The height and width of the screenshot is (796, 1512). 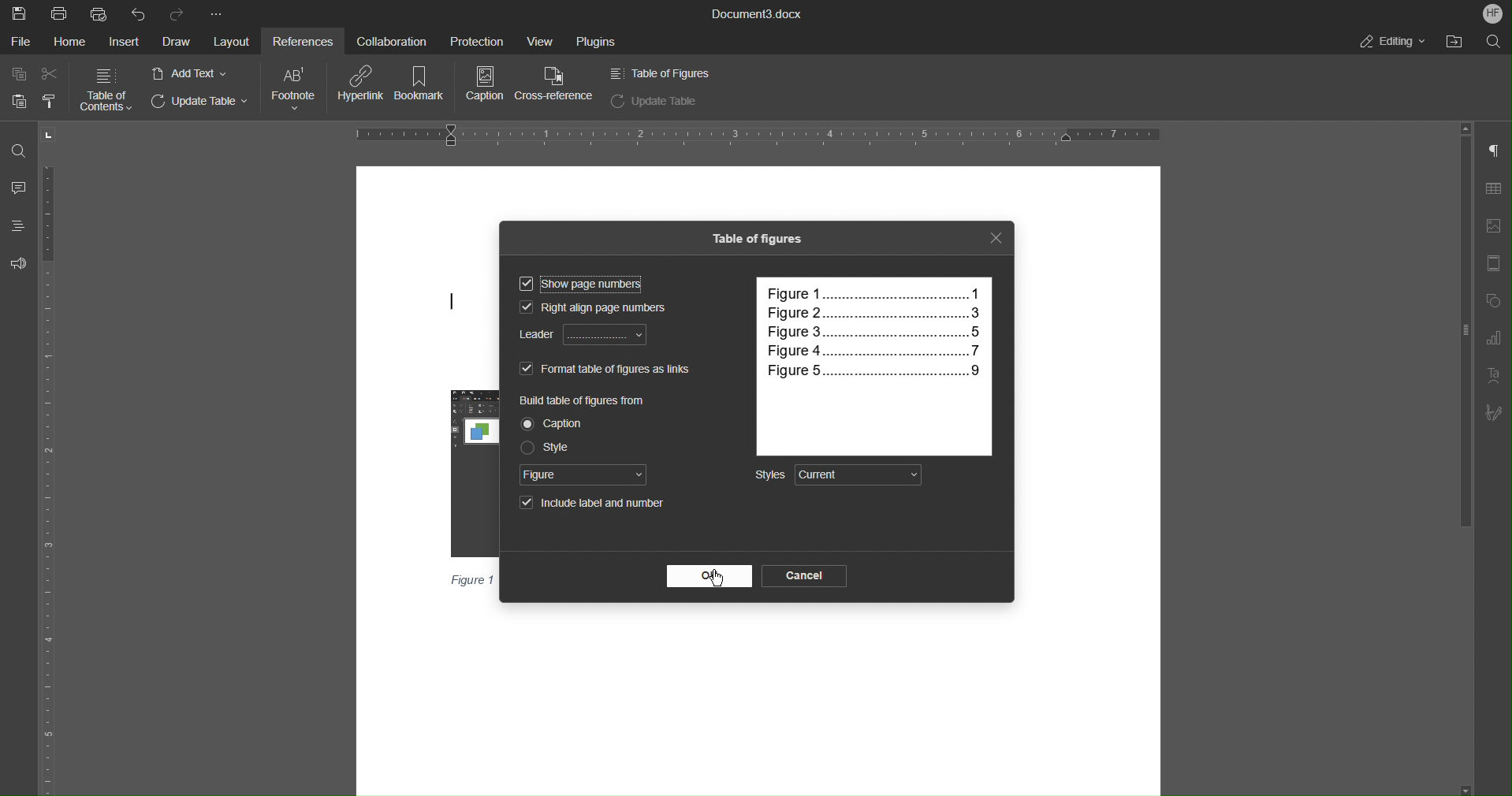 What do you see at coordinates (15, 101) in the screenshot?
I see `Paste` at bounding box center [15, 101].